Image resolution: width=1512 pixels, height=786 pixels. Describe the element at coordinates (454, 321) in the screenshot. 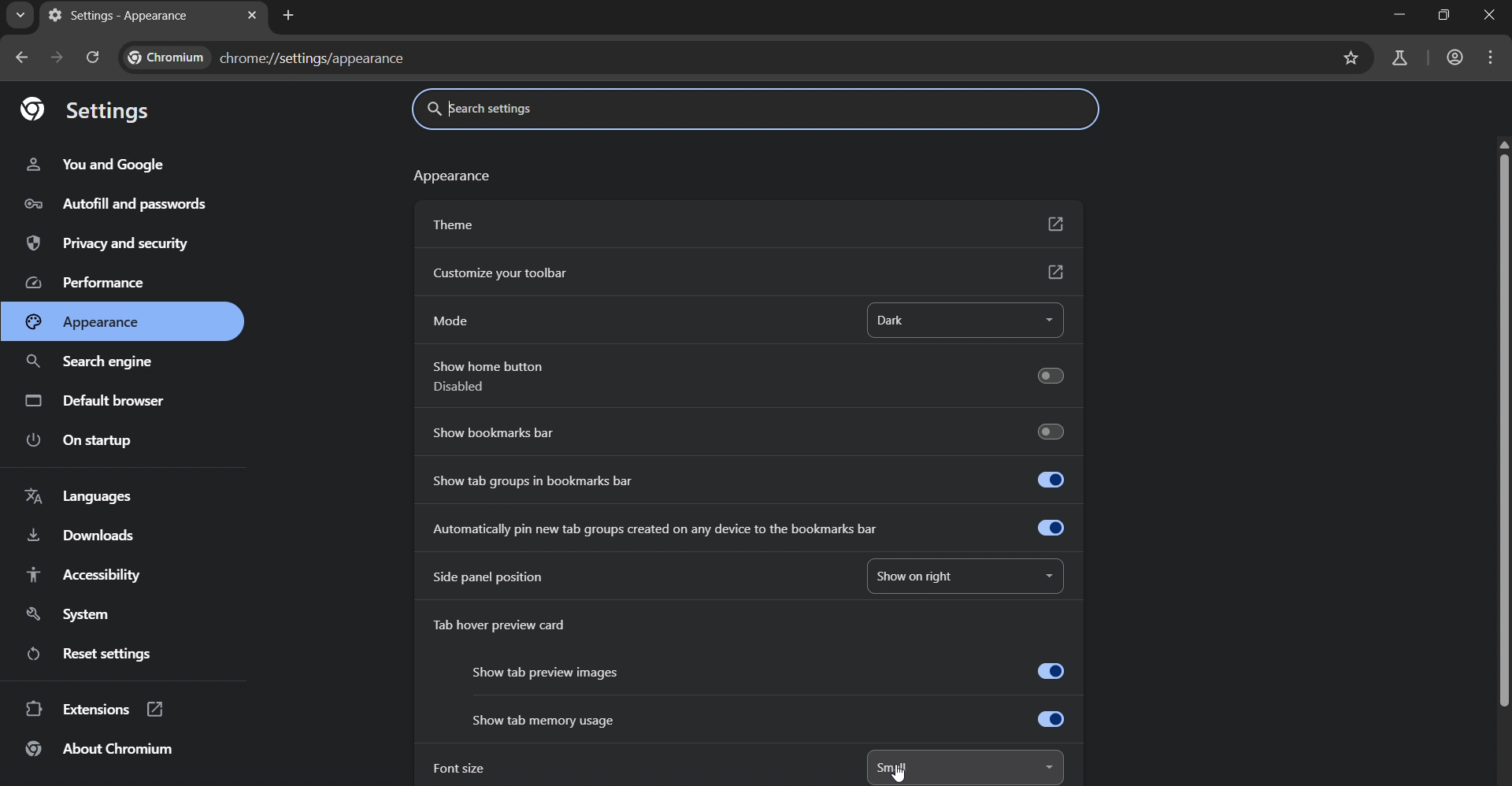

I see `mode` at that location.